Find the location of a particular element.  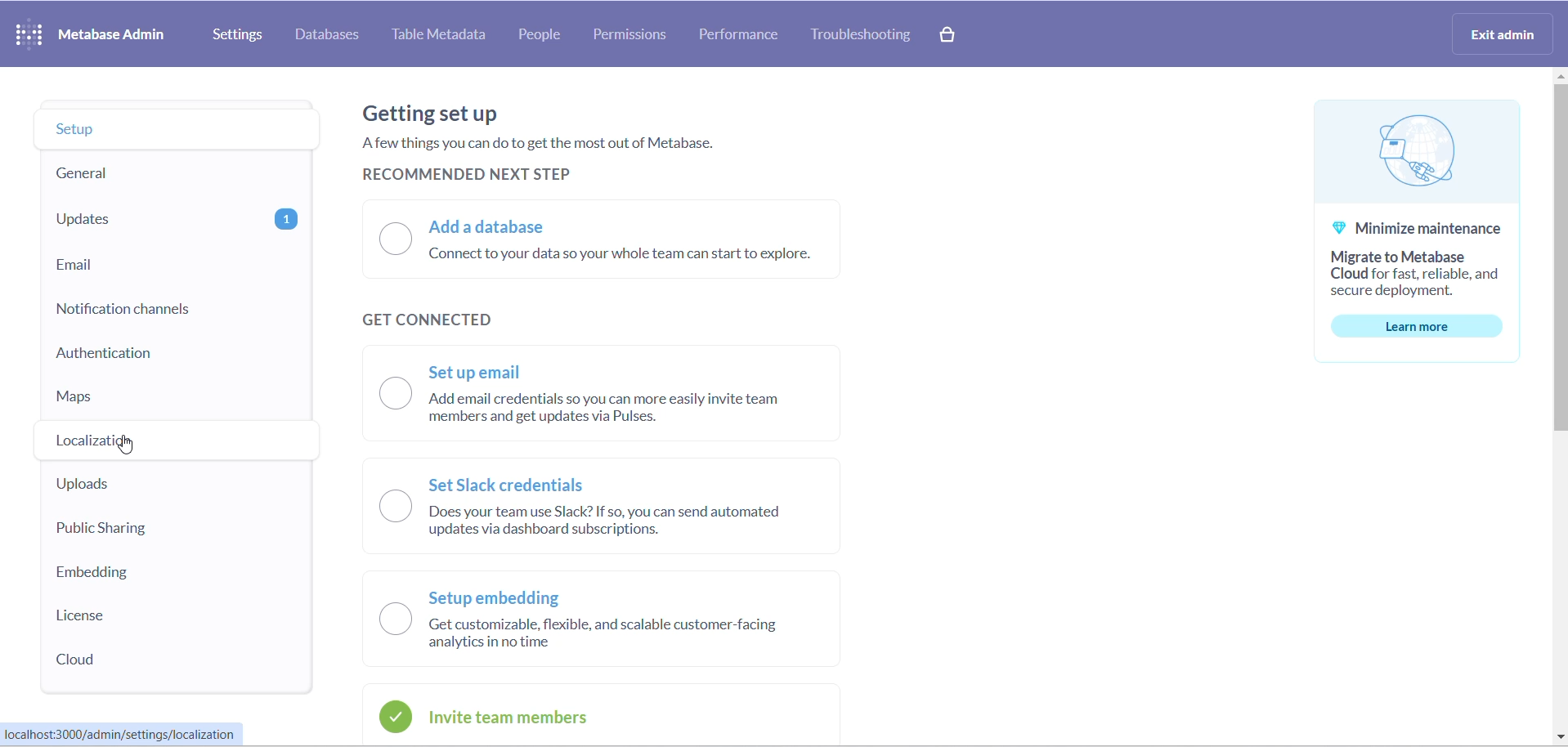

~ Set up email
{J Add email credentials so you can more easily invite team
members and get updates via Pulses. is located at coordinates (614, 398).